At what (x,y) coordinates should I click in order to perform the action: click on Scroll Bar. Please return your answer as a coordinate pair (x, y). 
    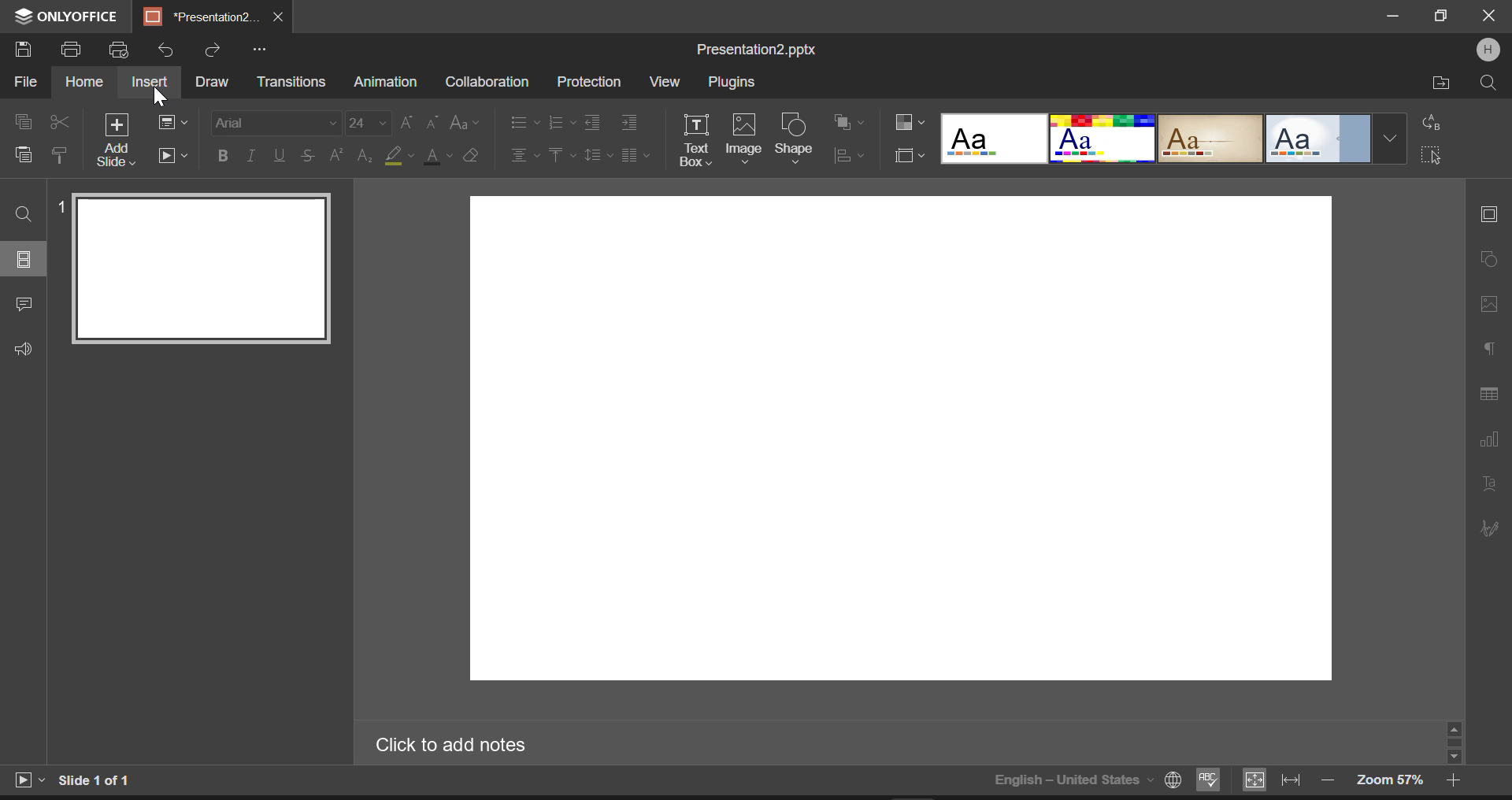
    Looking at the image, I should click on (1455, 742).